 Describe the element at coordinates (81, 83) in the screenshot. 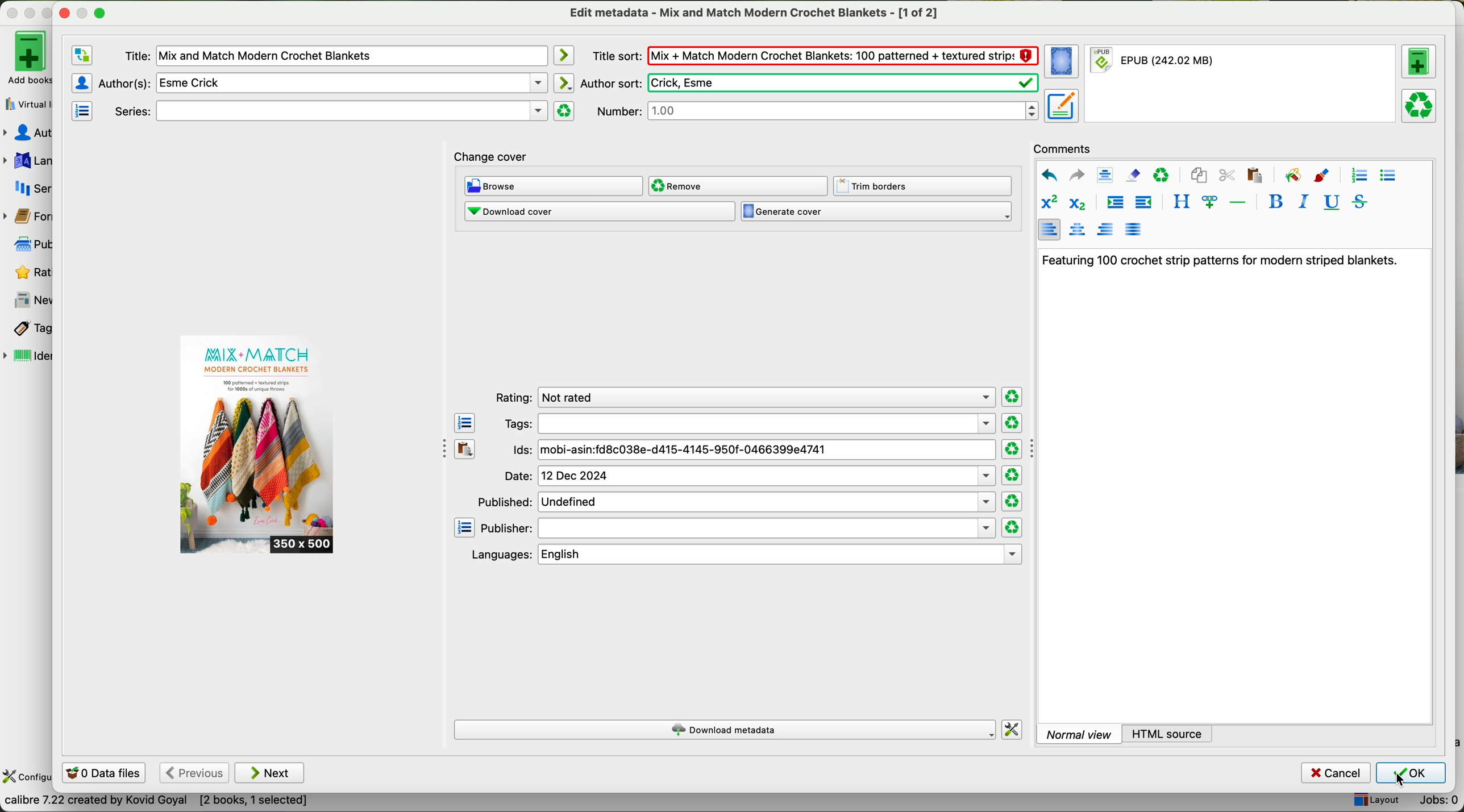

I see `set the manage authors editor` at that location.